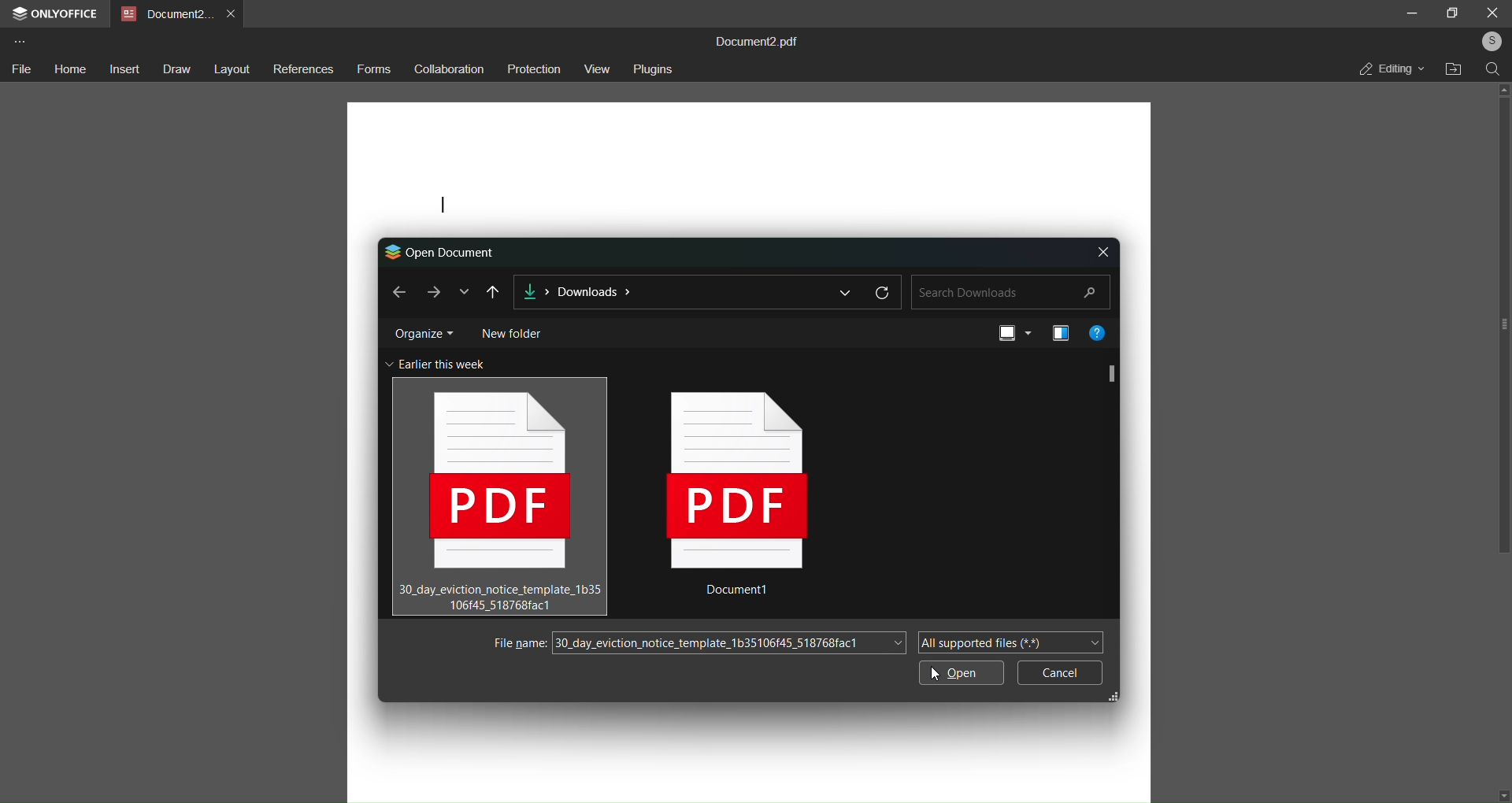  I want to click on previous, so click(493, 291).